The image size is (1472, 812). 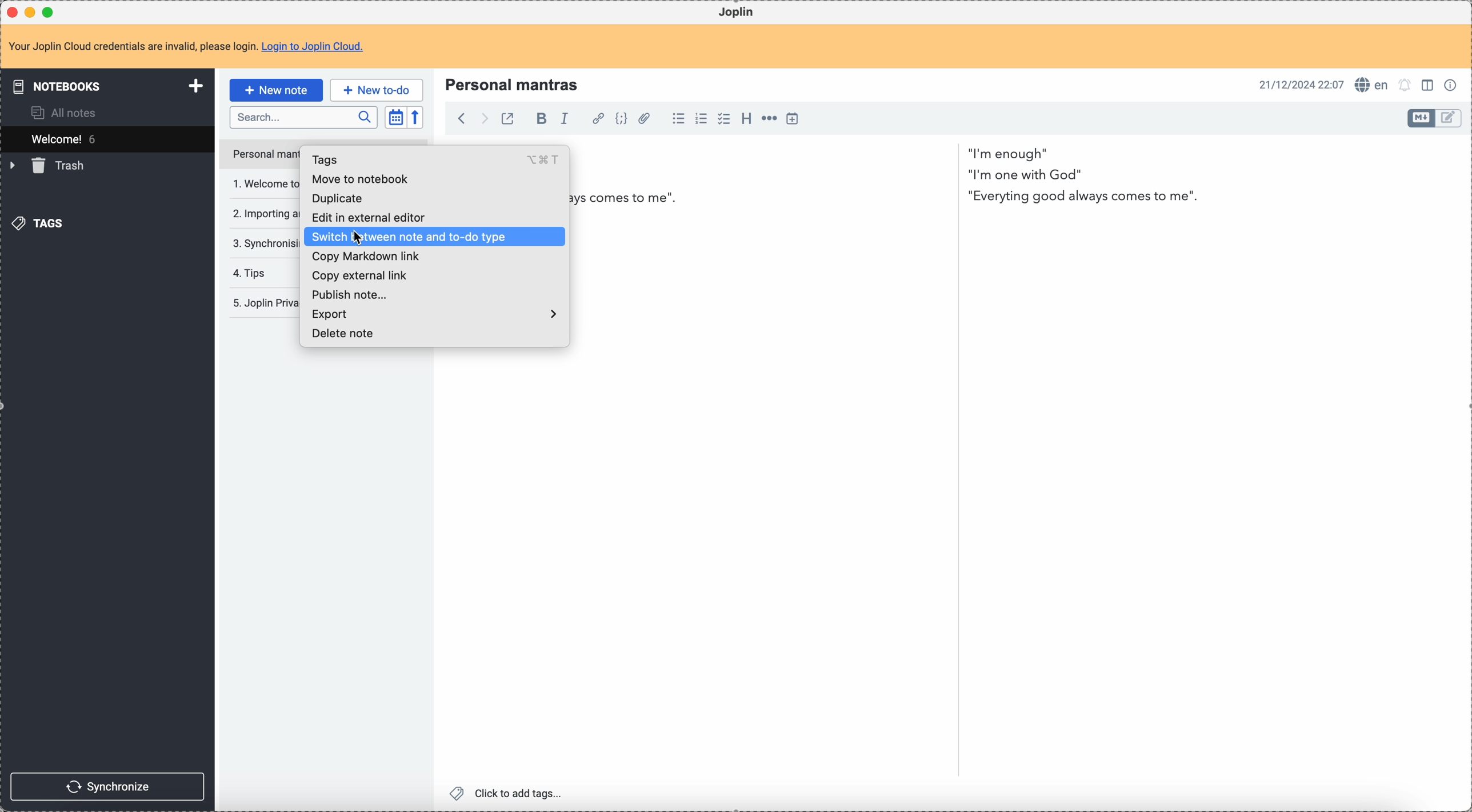 What do you see at coordinates (701, 119) in the screenshot?
I see `numbered list` at bounding box center [701, 119].